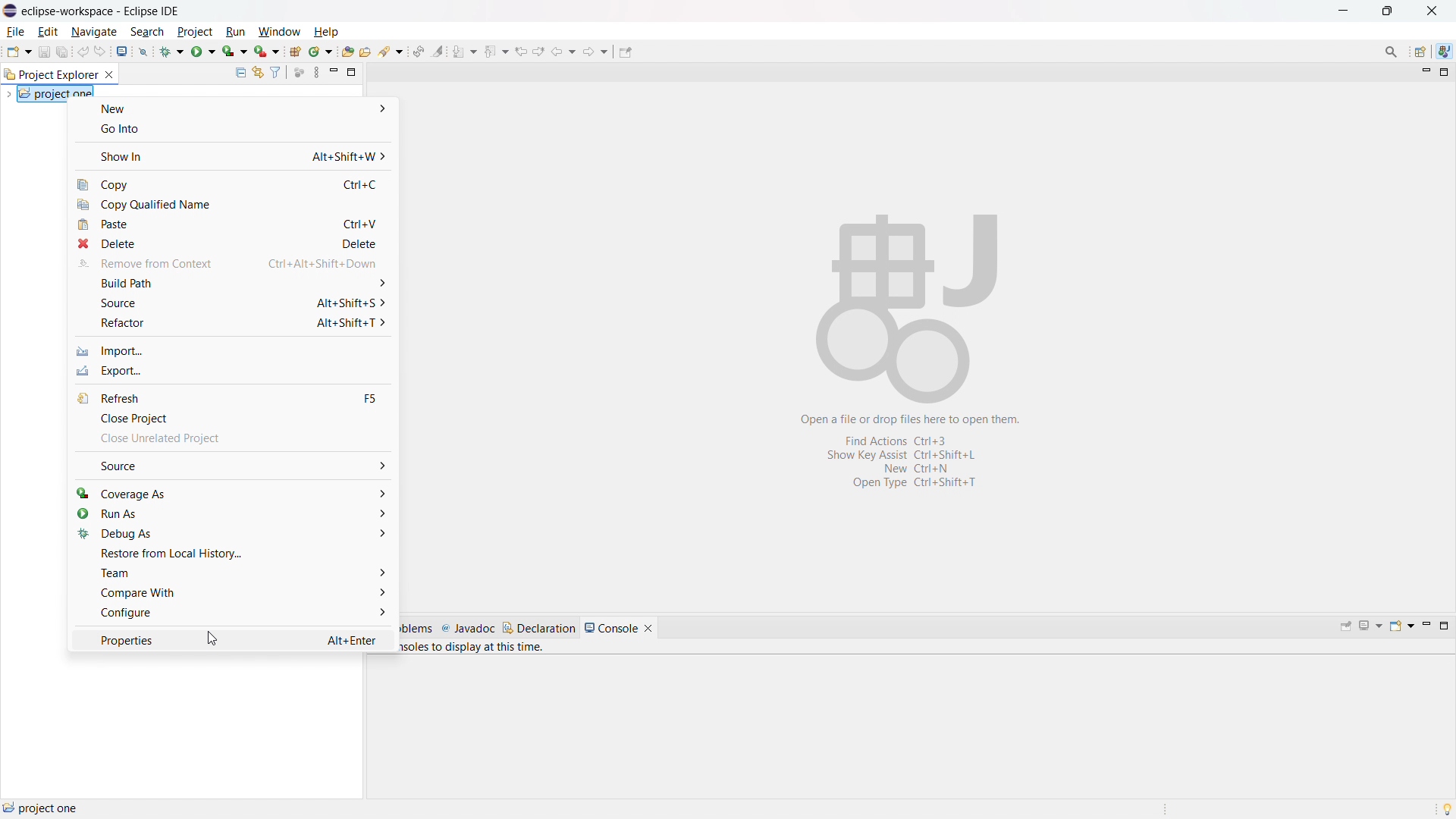 This screenshot has height=819, width=1456. I want to click on delete, so click(231, 243).